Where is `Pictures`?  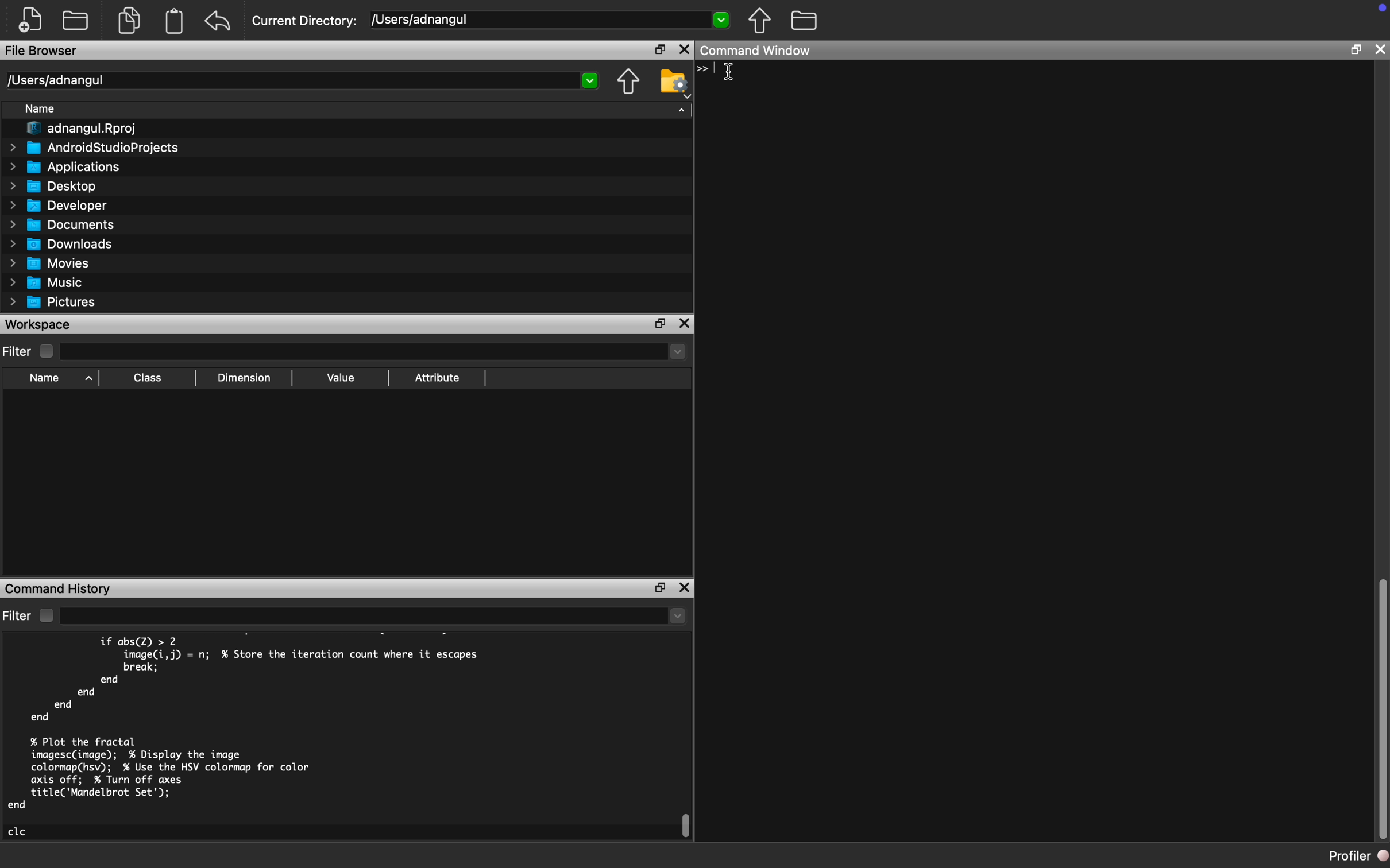 Pictures is located at coordinates (55, 303).